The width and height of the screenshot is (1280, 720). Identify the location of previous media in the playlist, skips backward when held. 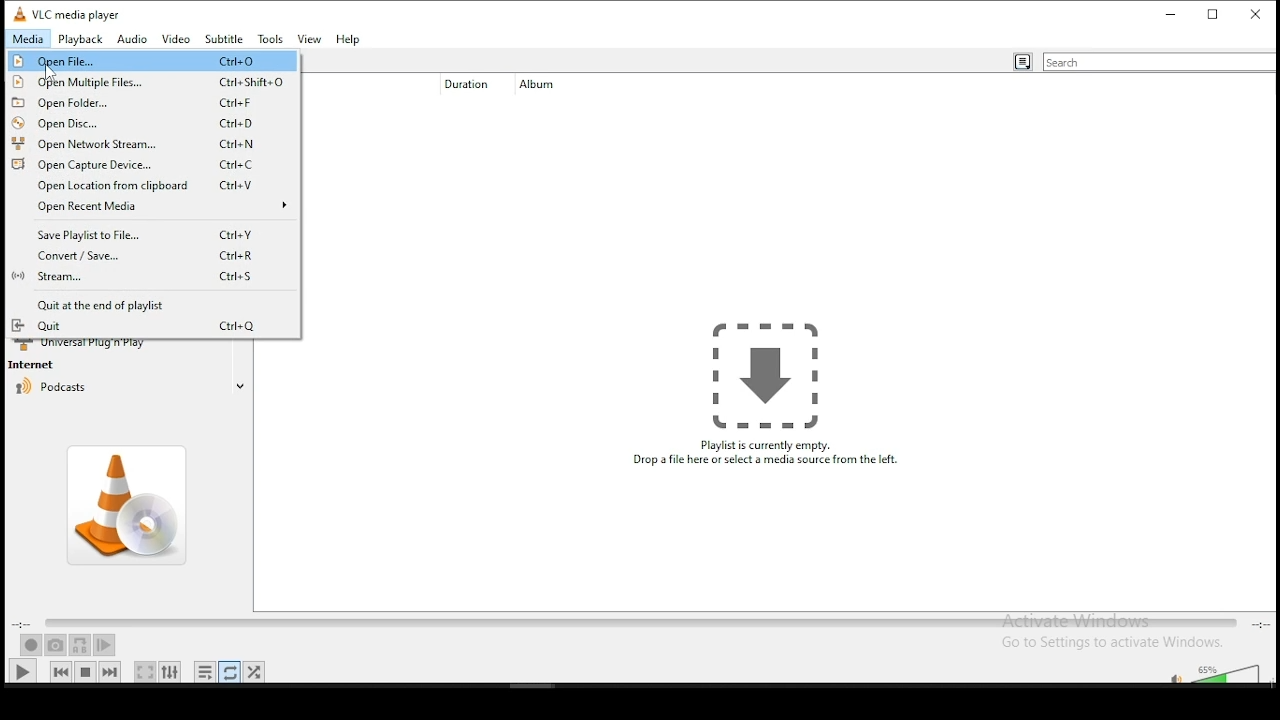
(62, 671).